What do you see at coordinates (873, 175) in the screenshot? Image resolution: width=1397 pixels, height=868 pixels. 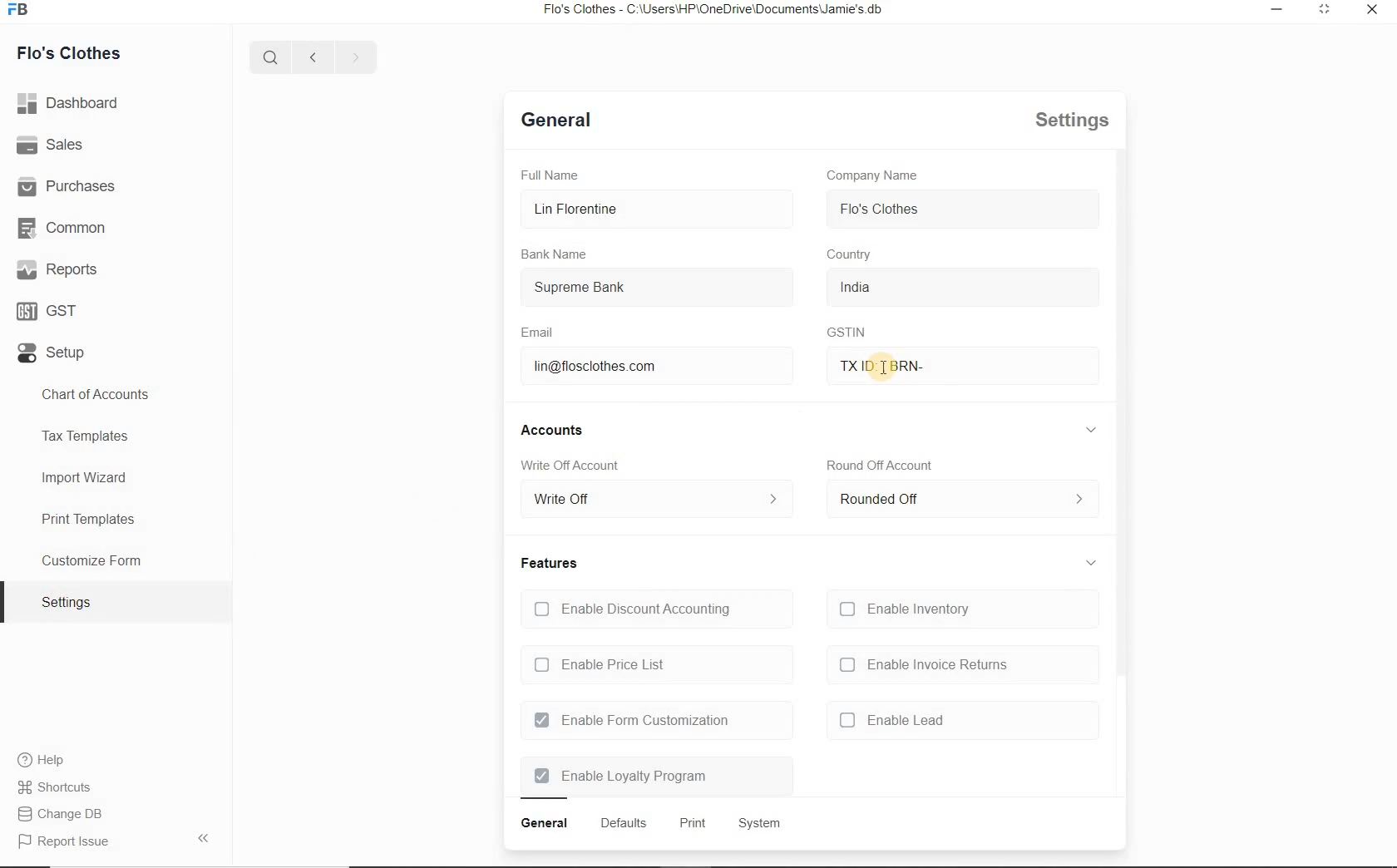 I see `Company Name` at bounding box center [873, 175].